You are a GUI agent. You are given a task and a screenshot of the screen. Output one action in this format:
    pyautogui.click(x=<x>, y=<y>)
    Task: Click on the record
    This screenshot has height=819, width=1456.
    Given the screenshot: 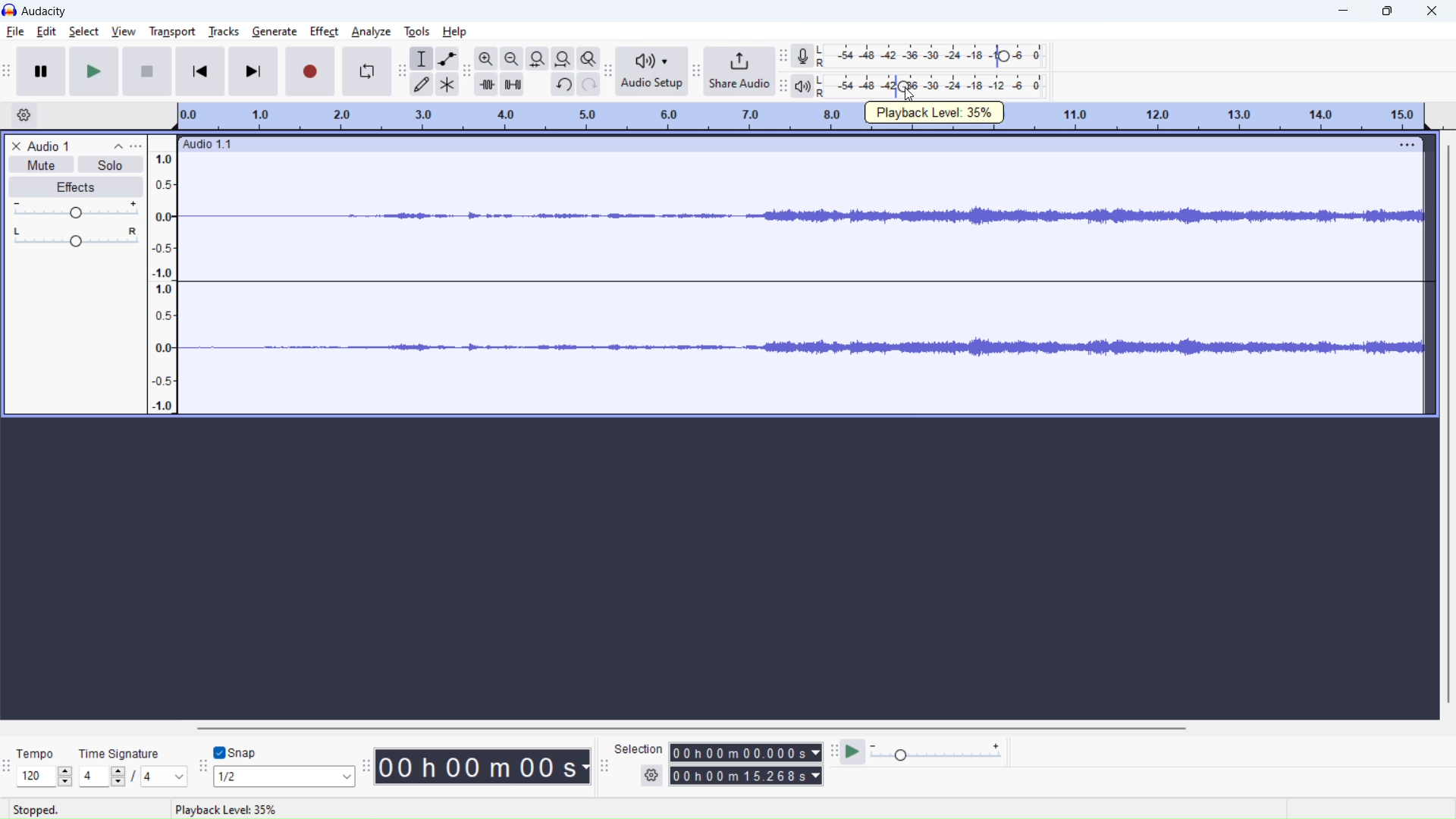 What is the action you would take?
    pyautogui.click(x=310, y=72)
    